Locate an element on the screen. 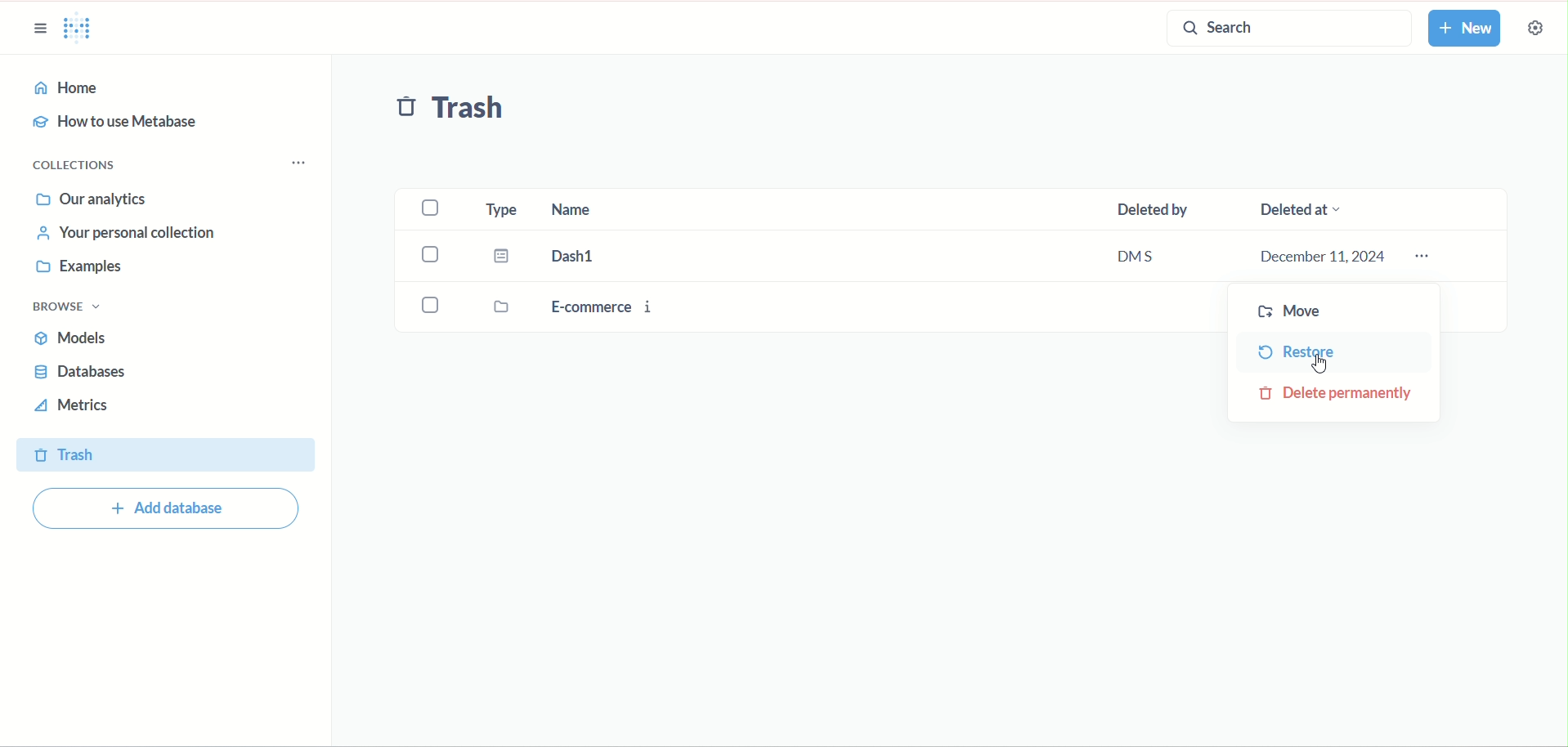  delete permanently is located at coordinates (1339, 394).